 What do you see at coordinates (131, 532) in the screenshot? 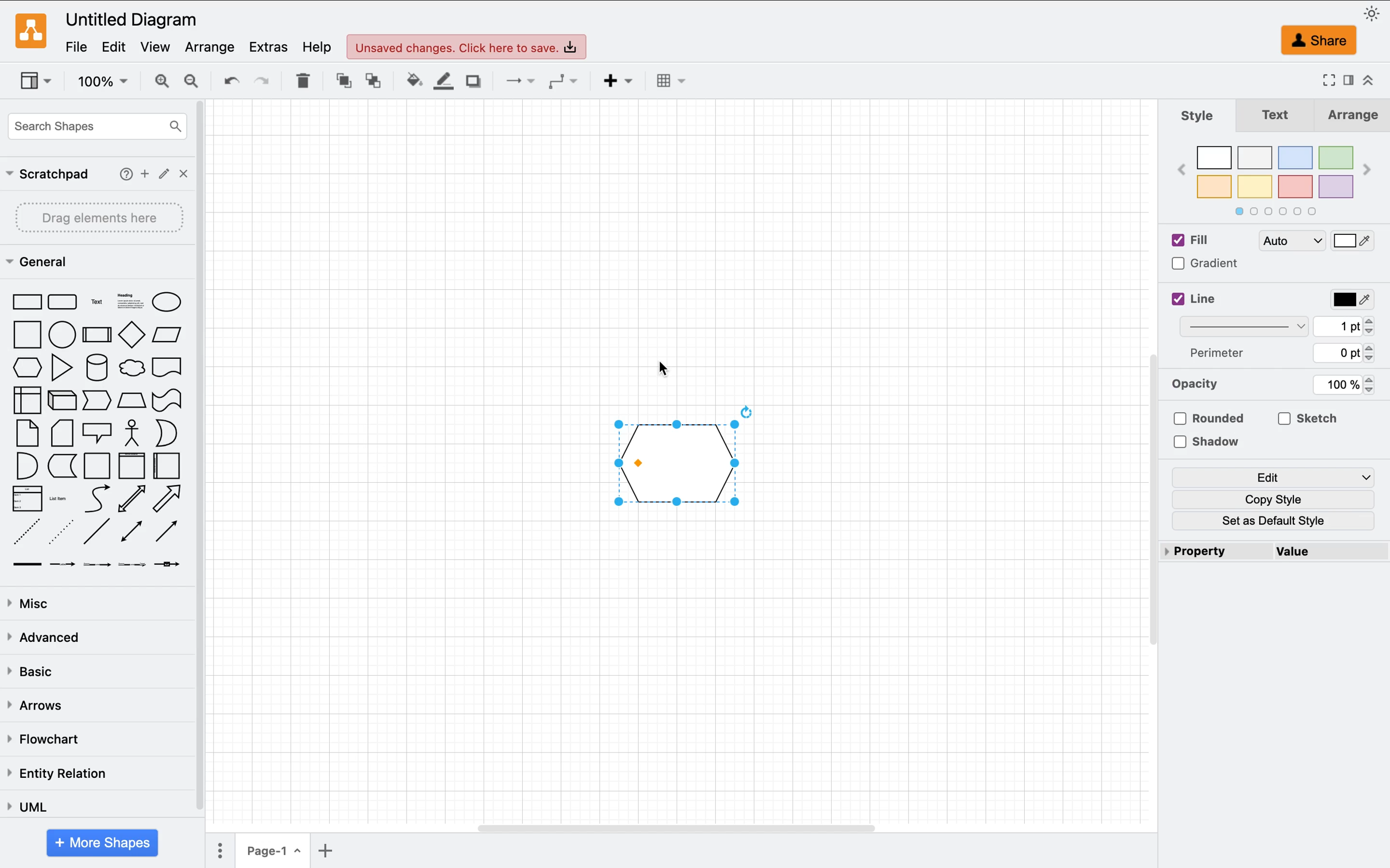
I see `bidirectional connector` at bounding box center [131, 532].